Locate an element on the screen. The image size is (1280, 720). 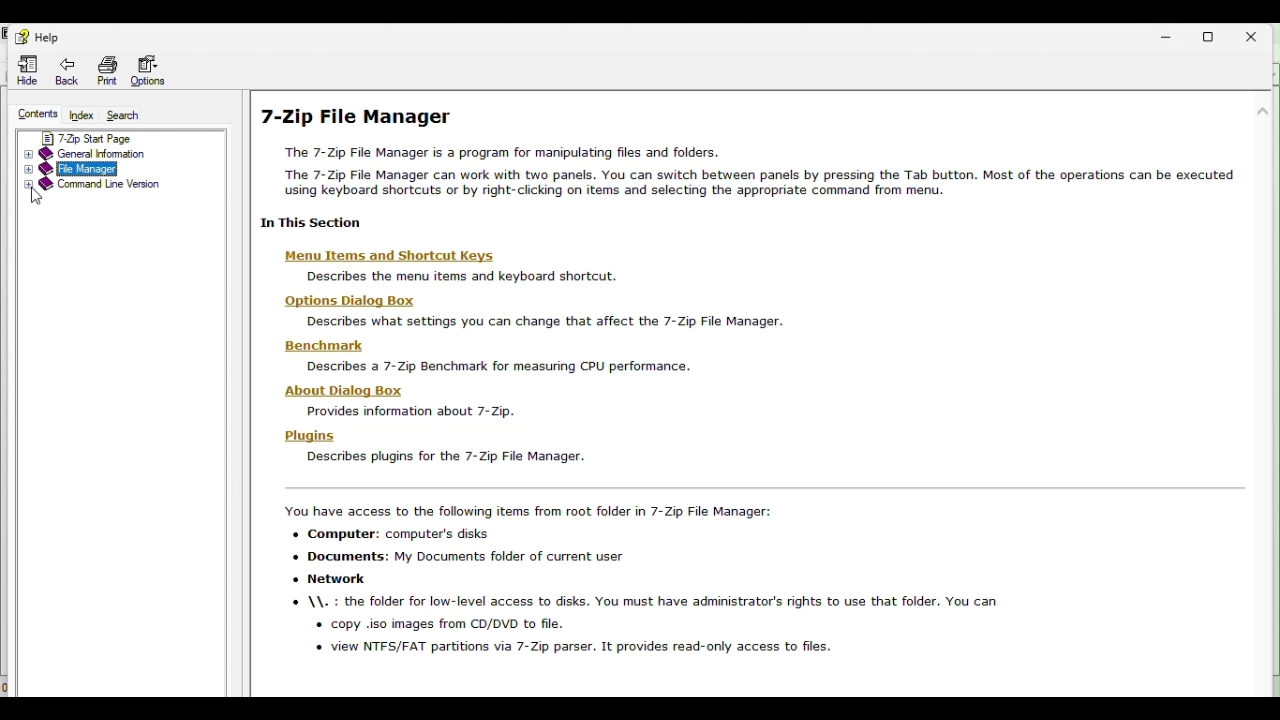
7 zip start page is located at coordinates (119, 136).